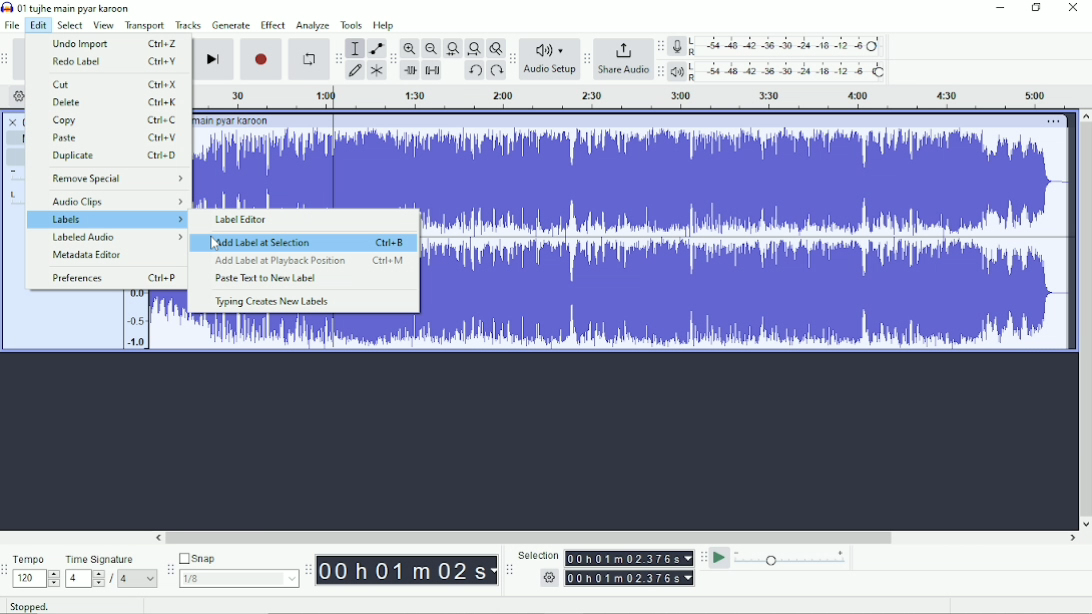 Image resolution: width=1092 pixels, height=614 pixels. Describe the element at coordinates (114, 156) in the screenshot. I see `Duplicate` at that location.